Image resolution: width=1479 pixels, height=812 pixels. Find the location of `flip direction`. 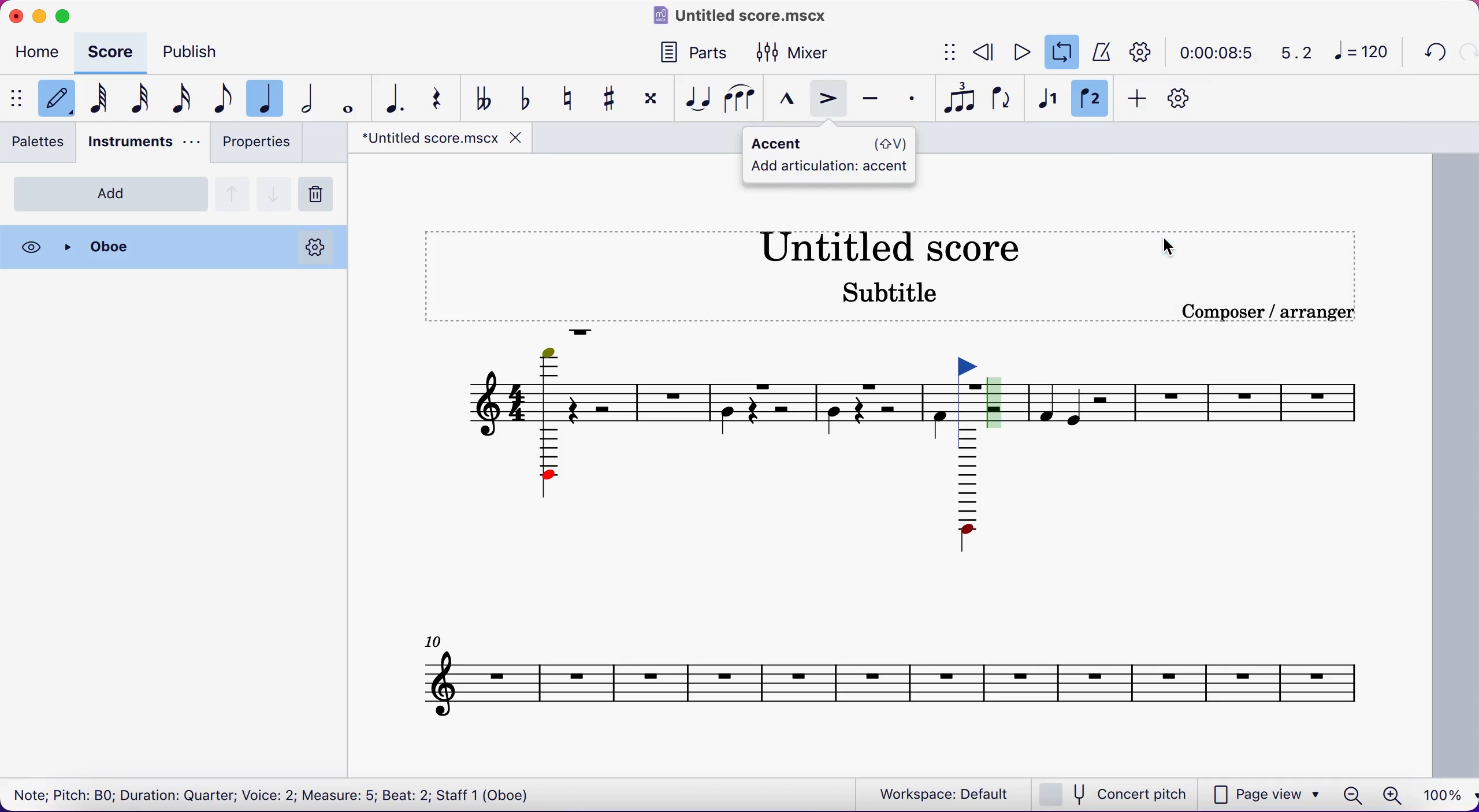

flip direction is located at coordinates (1004, 101).